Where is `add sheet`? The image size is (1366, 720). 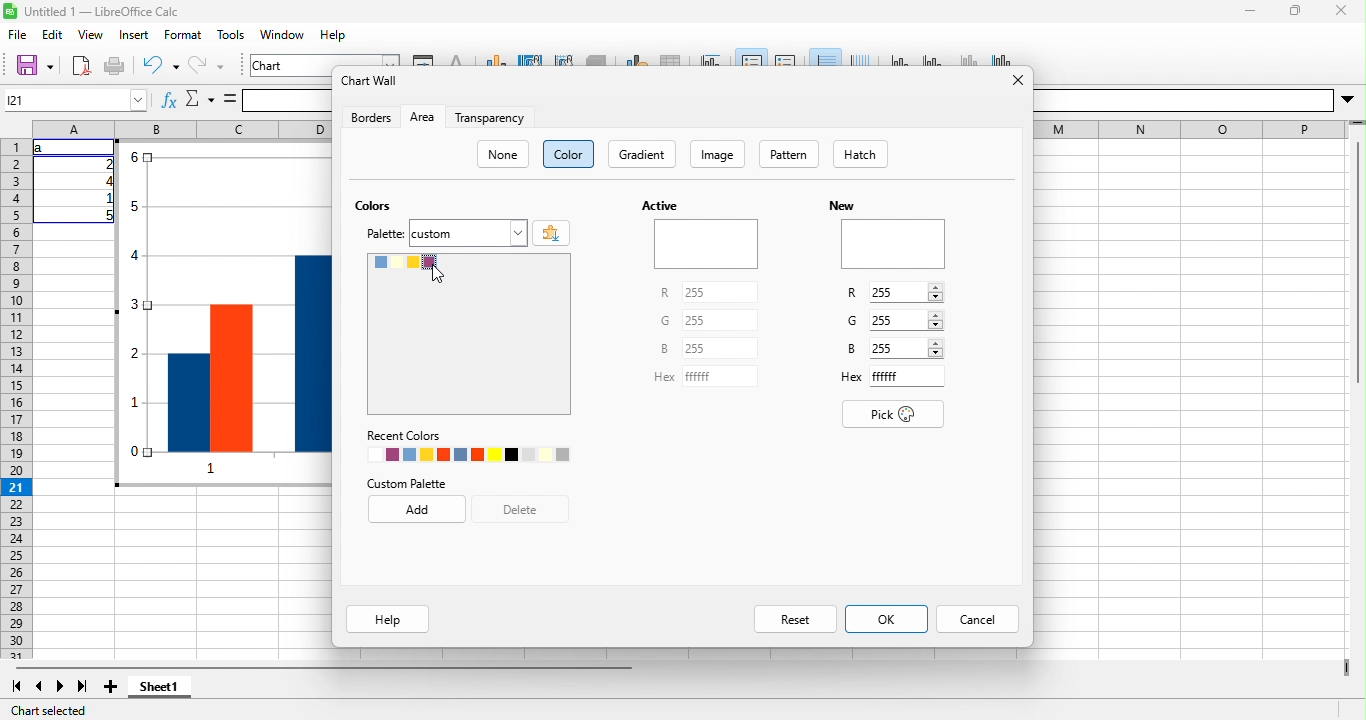 add sheet is located at coordinates (111, 686).